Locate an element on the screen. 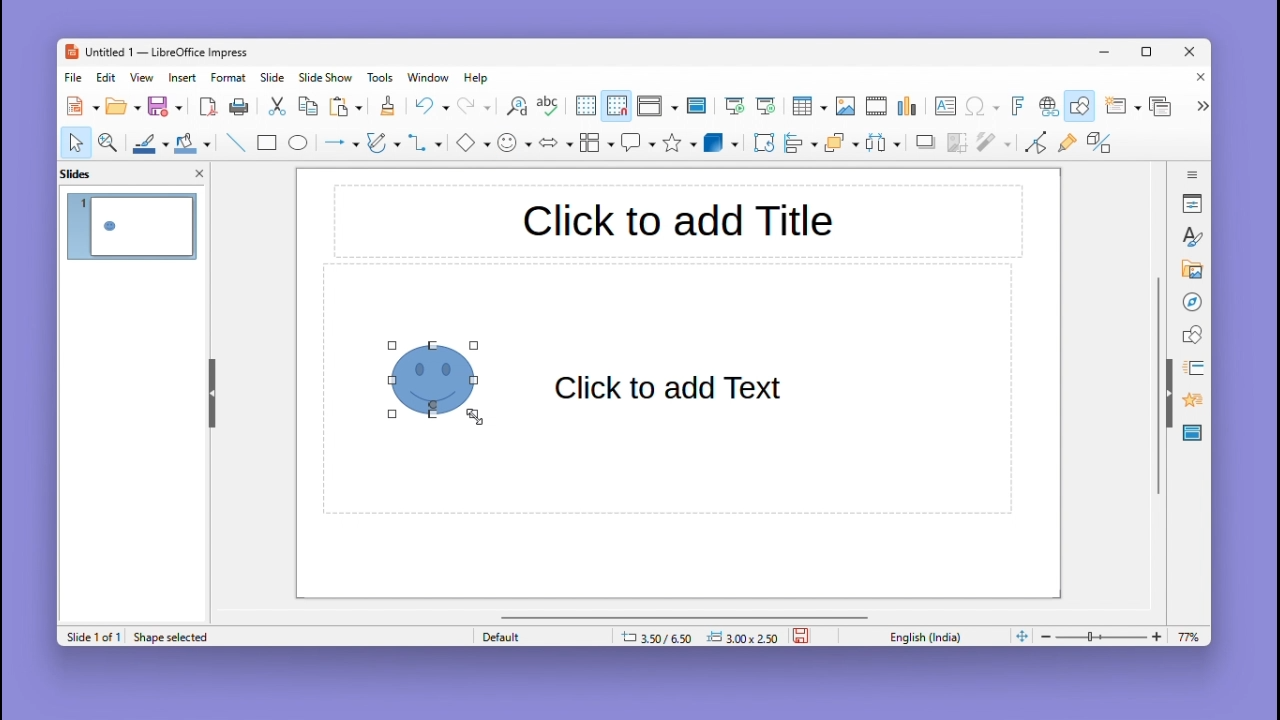  Edit is located at coordinates (108, 77).